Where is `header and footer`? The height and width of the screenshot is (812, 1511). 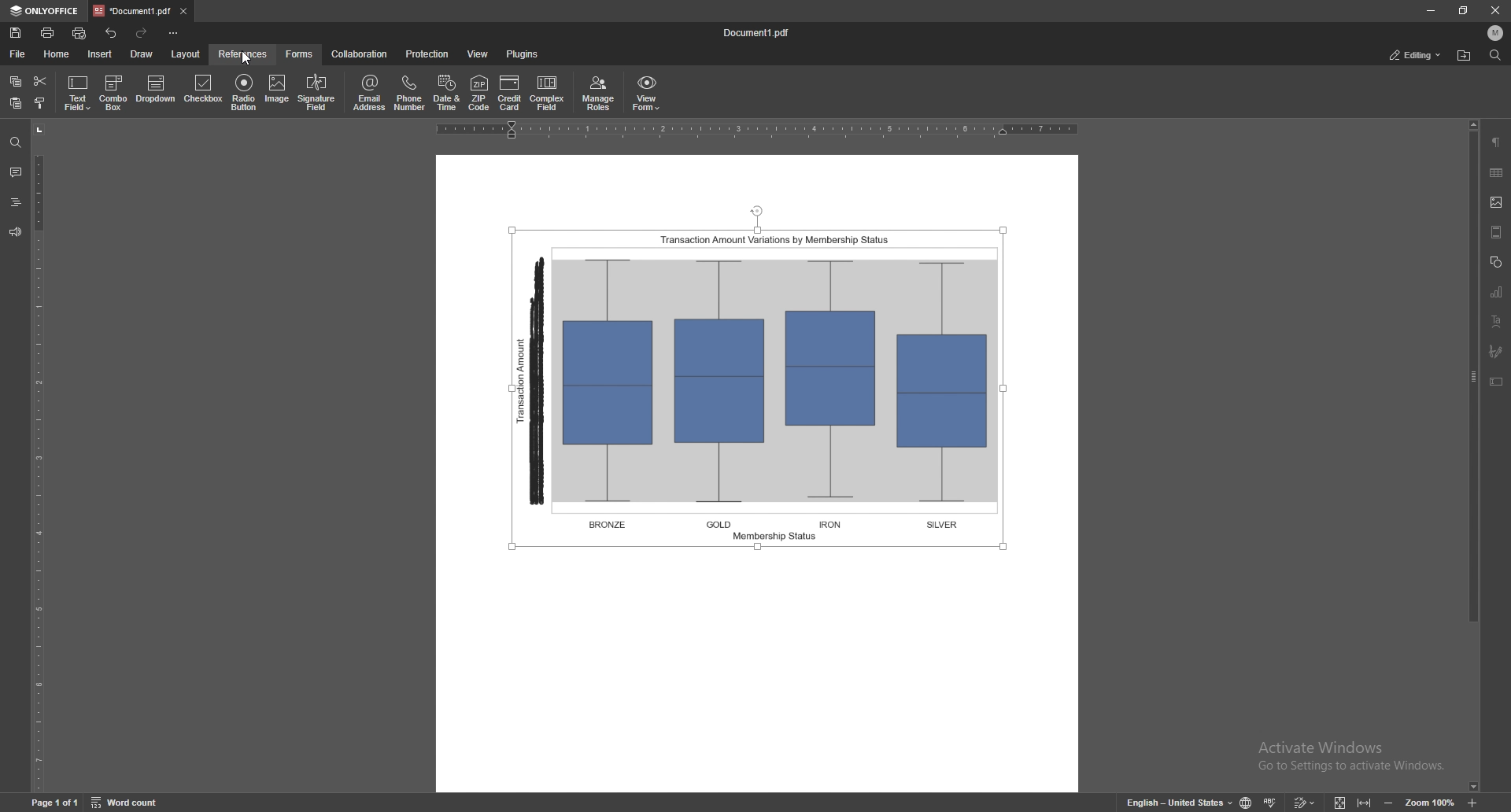
header and footer is located at coordinates (1497, 231).